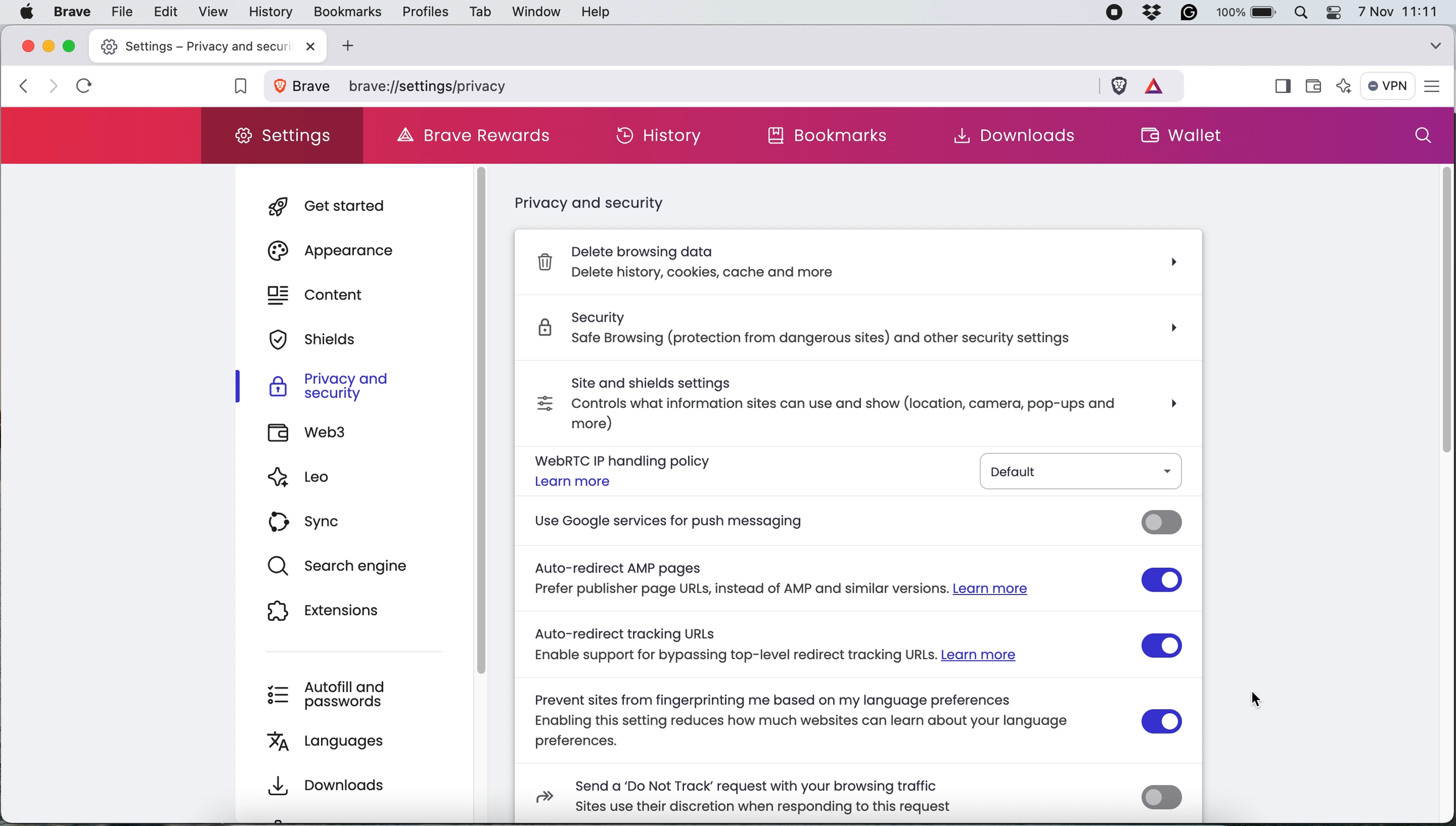 The width and height of the screenshot is (1456, 826). I want to click on get started, so click(344, 205).